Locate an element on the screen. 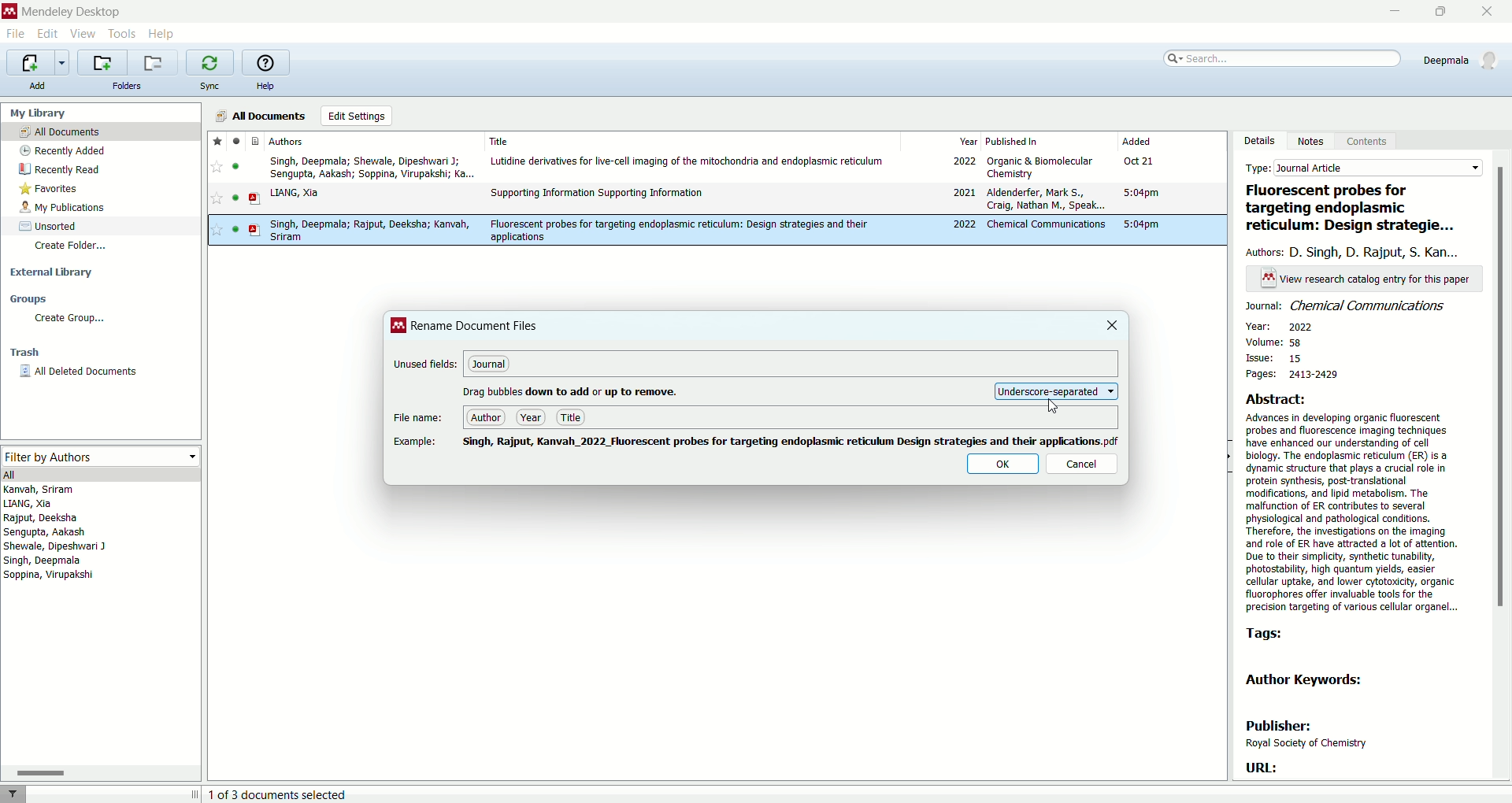  unsorted is located at coordinates (45, 227).